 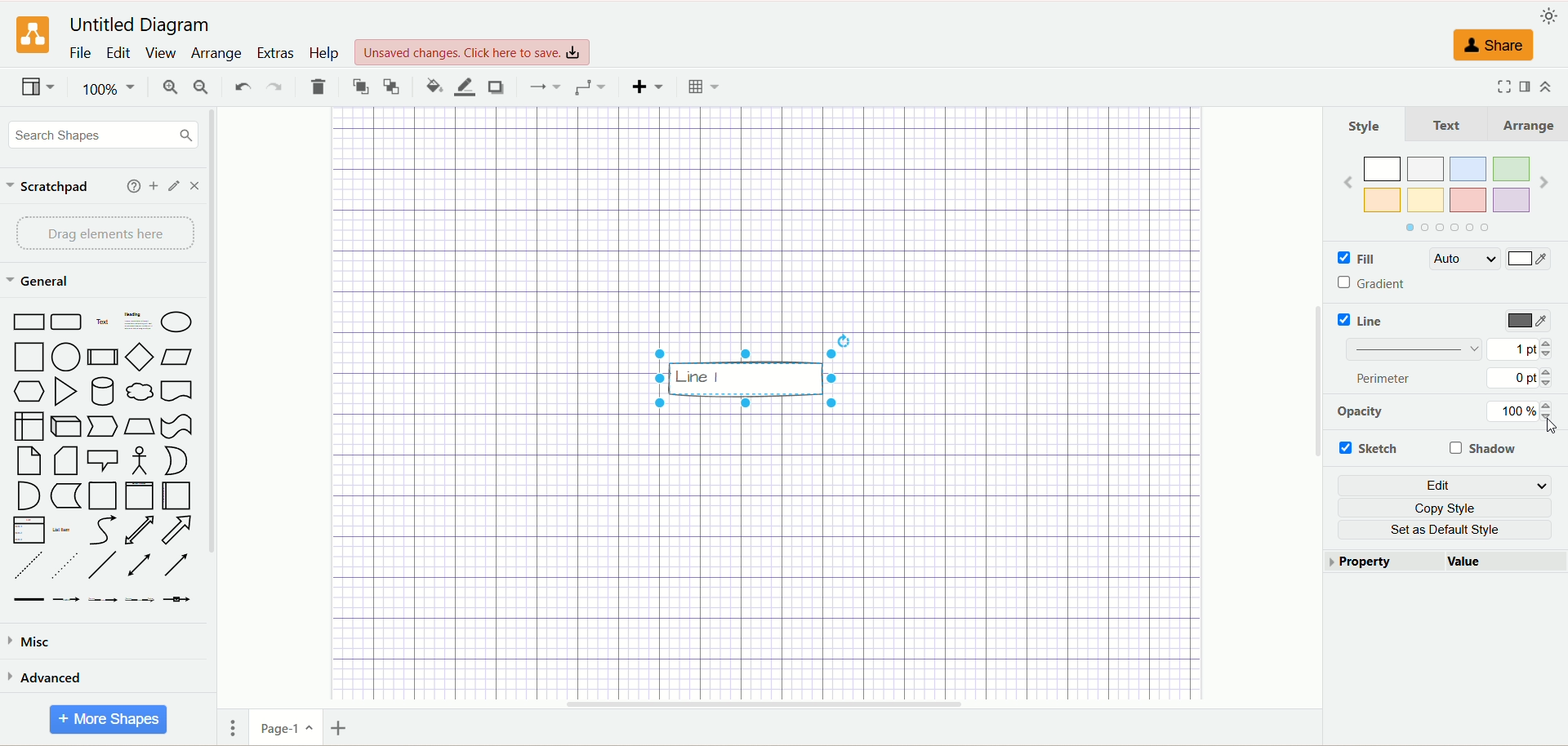 What do you see at coordinates (117, 53) in the screenshot?
I see `edit` at bounding box center [117, 53].